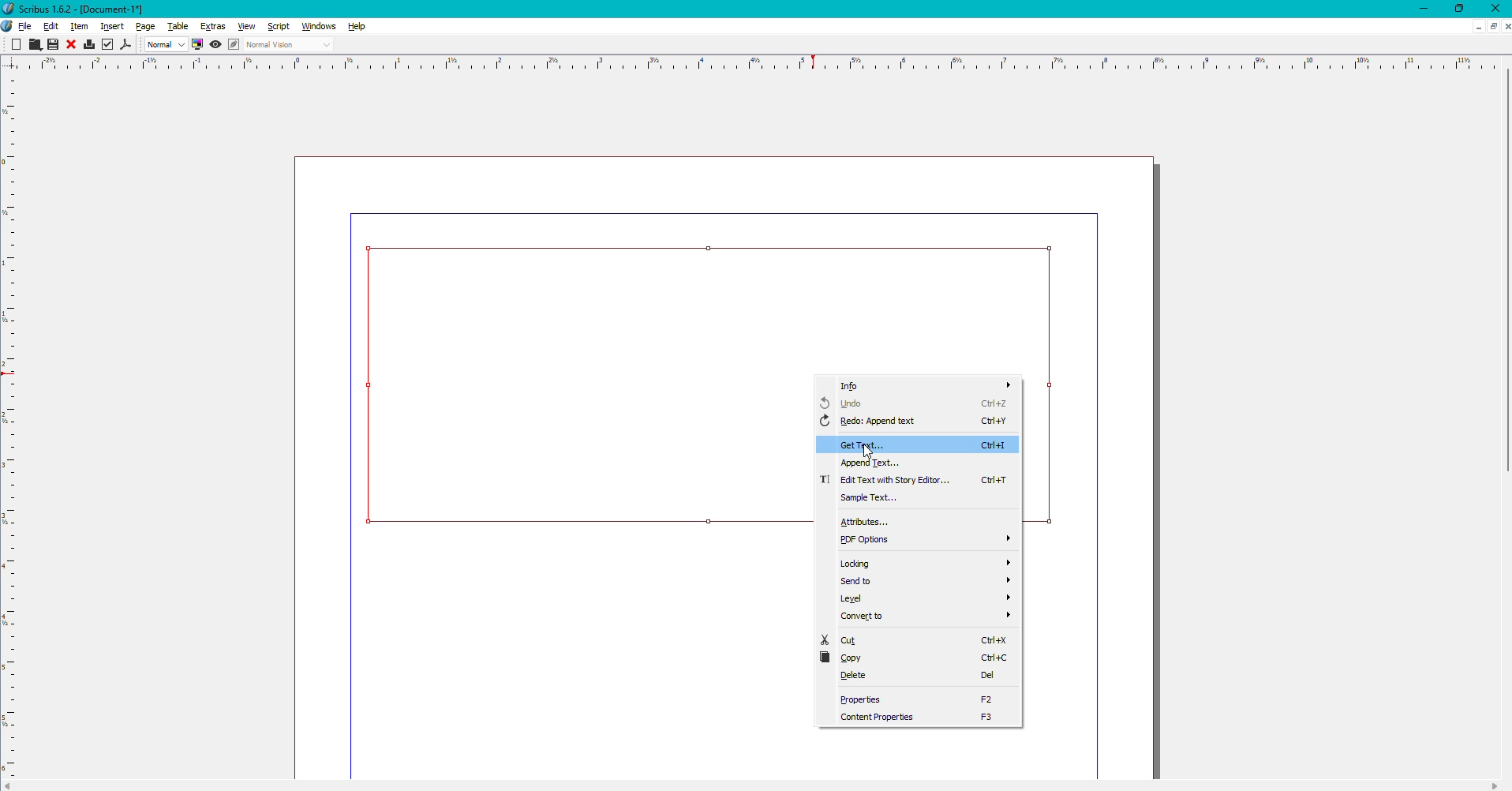  I want to click on Copy, so click(917, 660).